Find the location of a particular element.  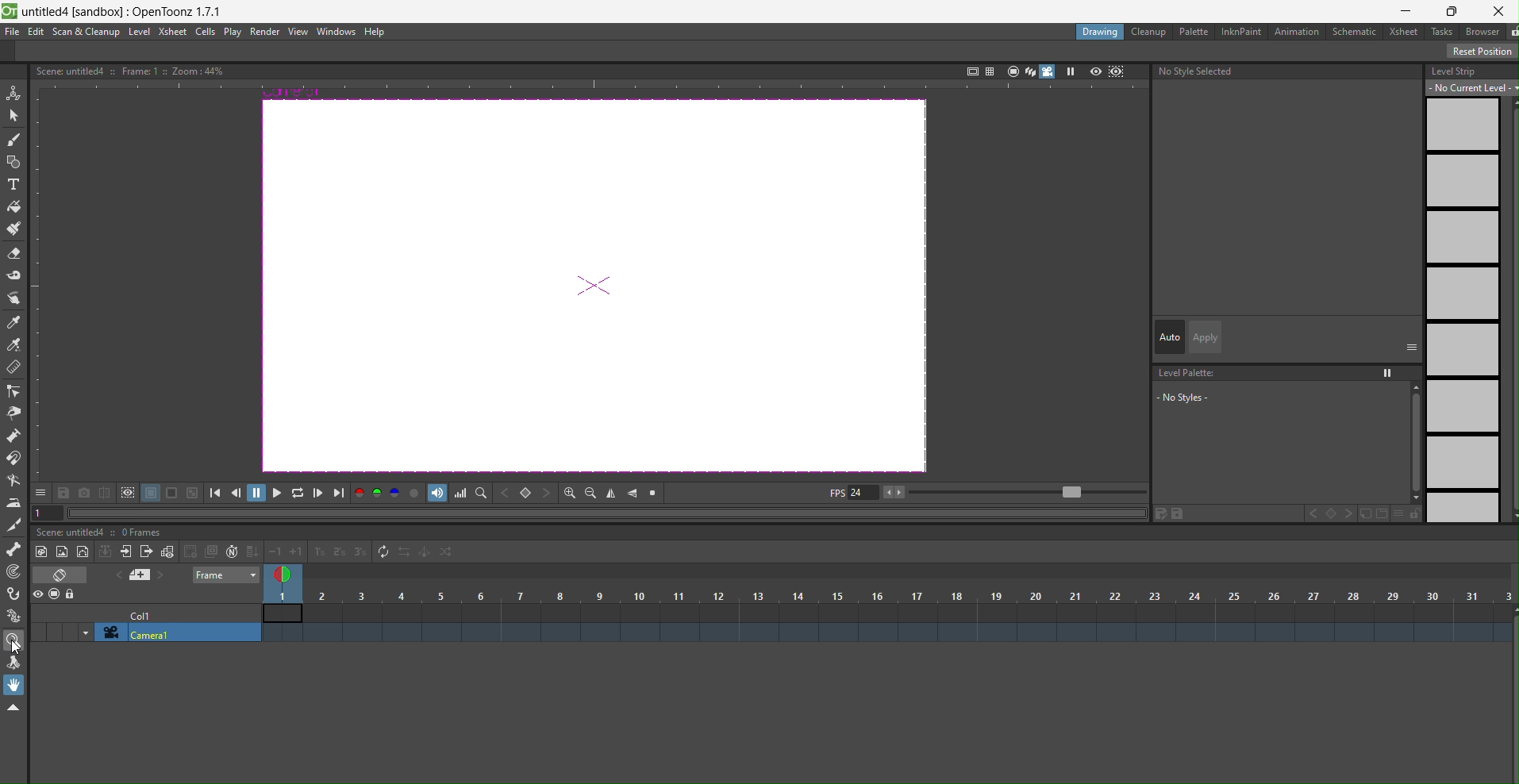

camera is located at coordinates (170, 633).